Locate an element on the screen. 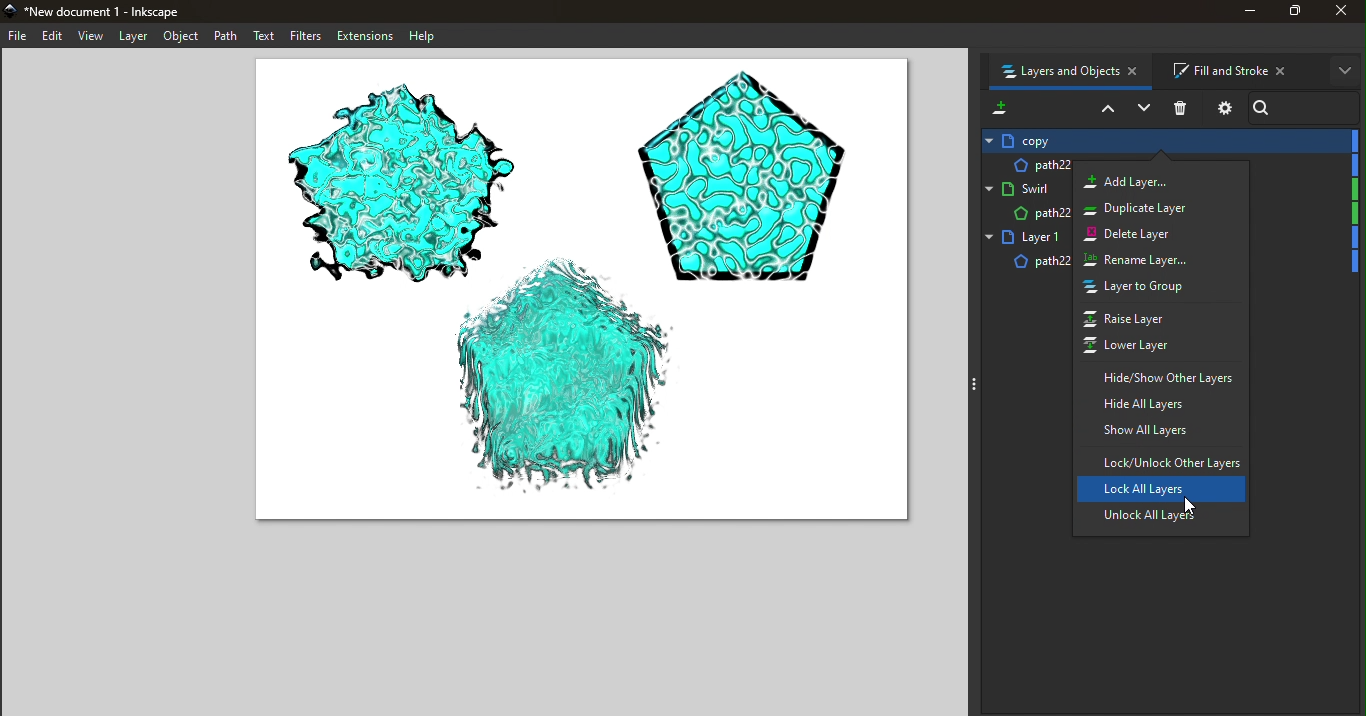  *New document 1 - Inkscape is located at coordinates (117, 12).